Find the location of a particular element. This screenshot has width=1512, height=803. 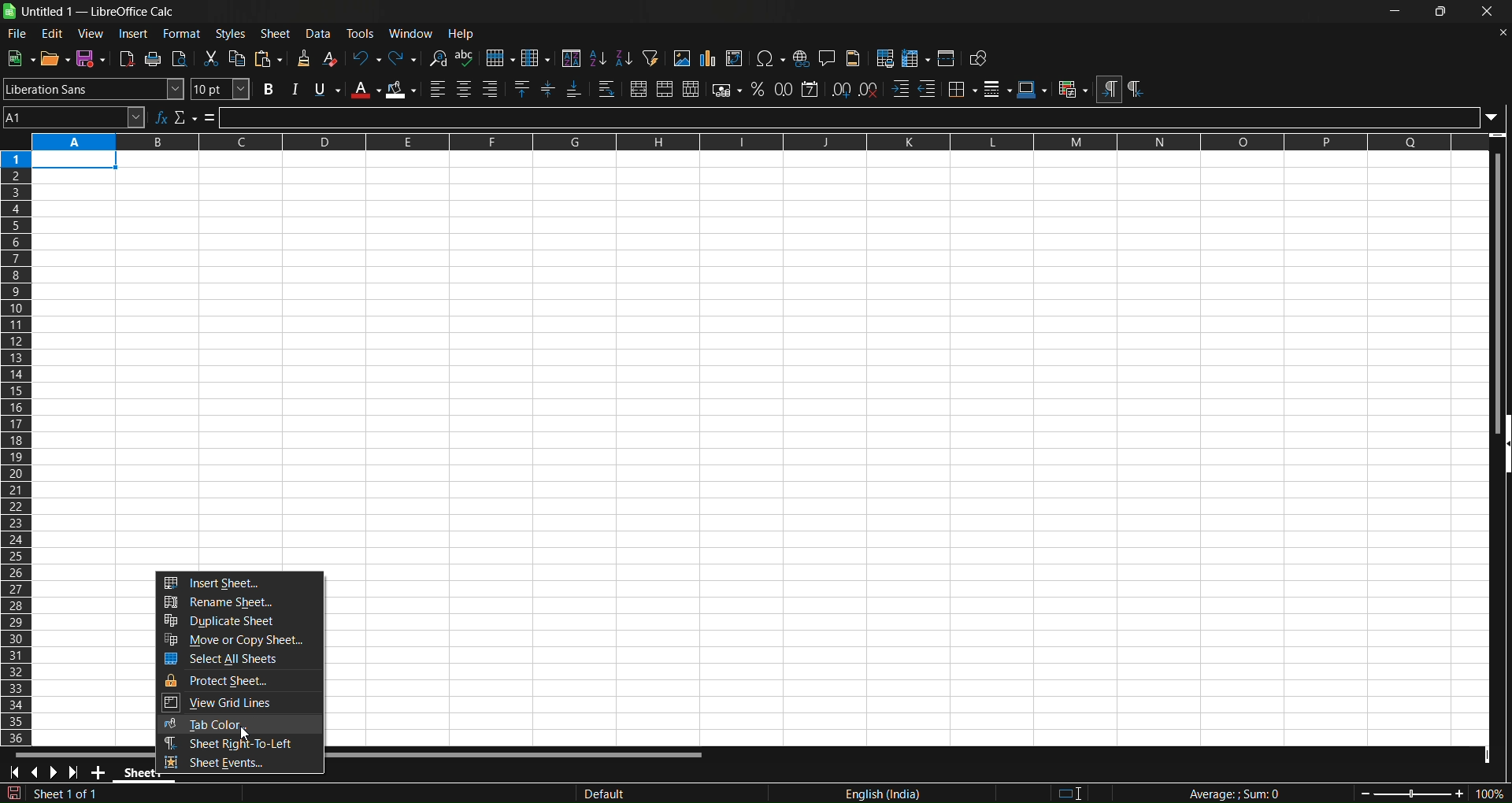

add decimal place is located at coordinates (843, 88).